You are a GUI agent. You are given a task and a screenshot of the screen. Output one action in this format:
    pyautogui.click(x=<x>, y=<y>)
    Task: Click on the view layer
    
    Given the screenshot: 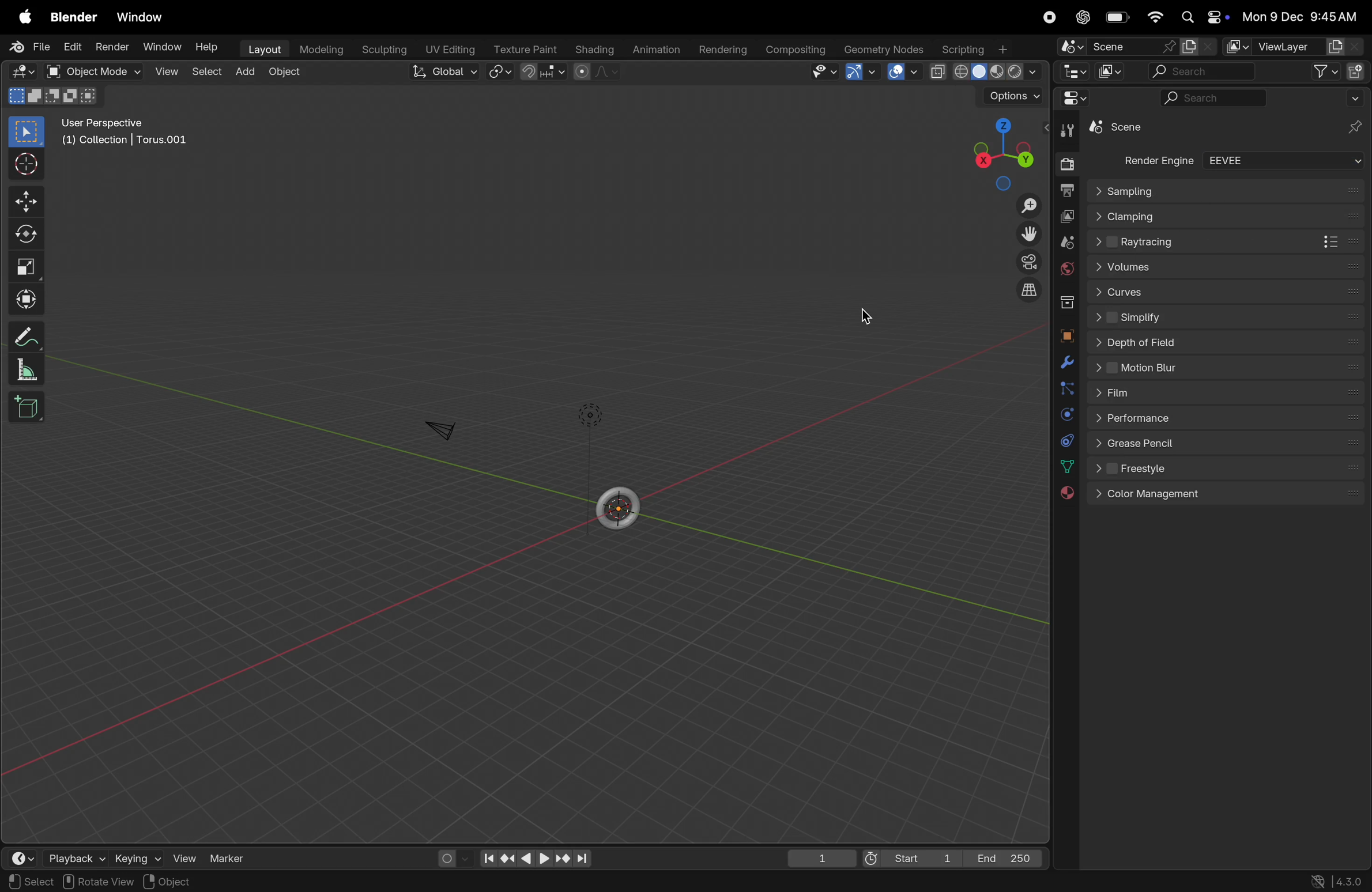 What is the action you would take?
    pyautogui.click(x=1294, y=46)
    